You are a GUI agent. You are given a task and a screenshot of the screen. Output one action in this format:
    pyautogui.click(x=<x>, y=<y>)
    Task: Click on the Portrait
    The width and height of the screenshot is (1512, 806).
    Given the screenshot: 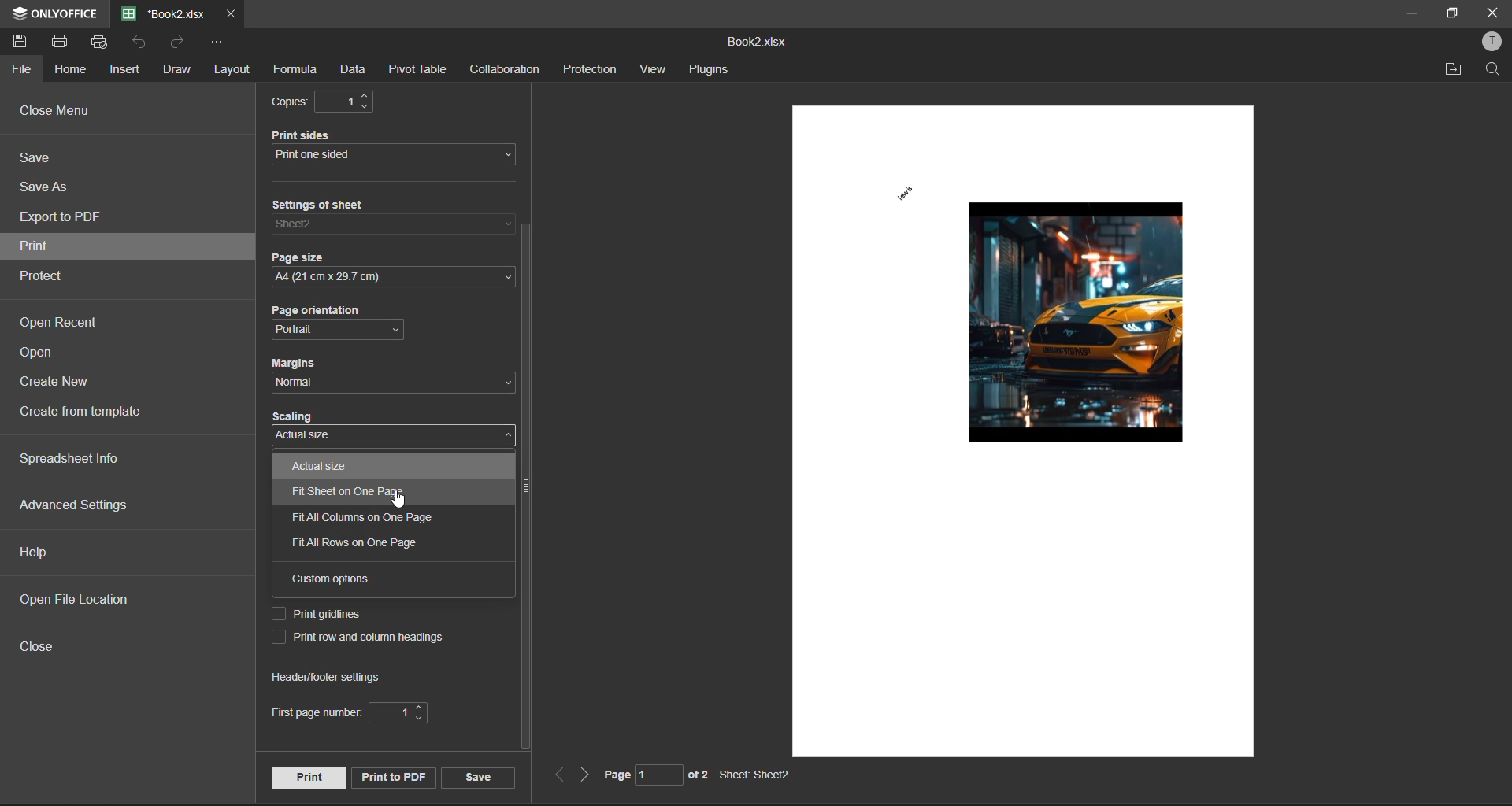 What is the action you would take?
    pyautogui.click(x=313, y=330)
    